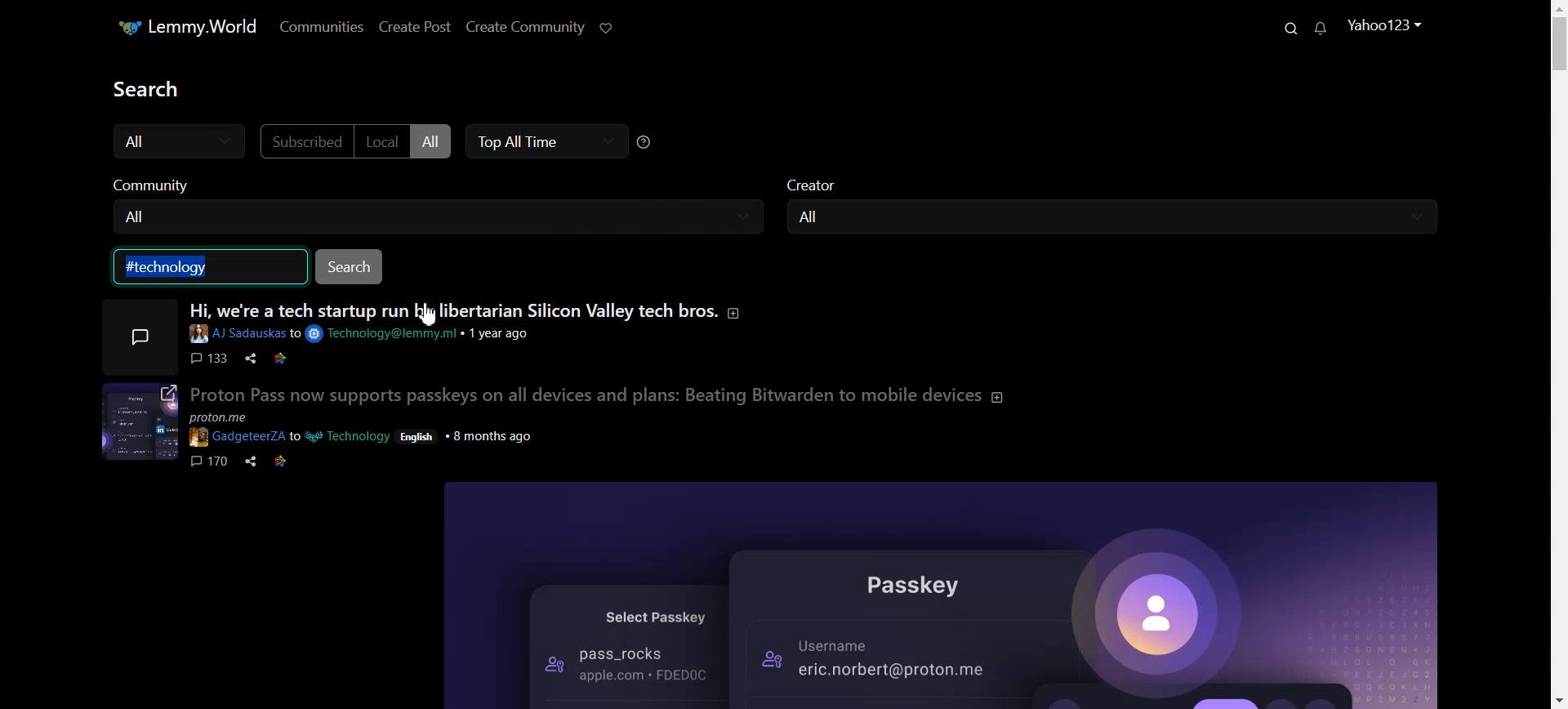  What do you see at coordinates (1323, 29) in the screenshot?
I see `Unread Message` at bounding box center [1323, 29].